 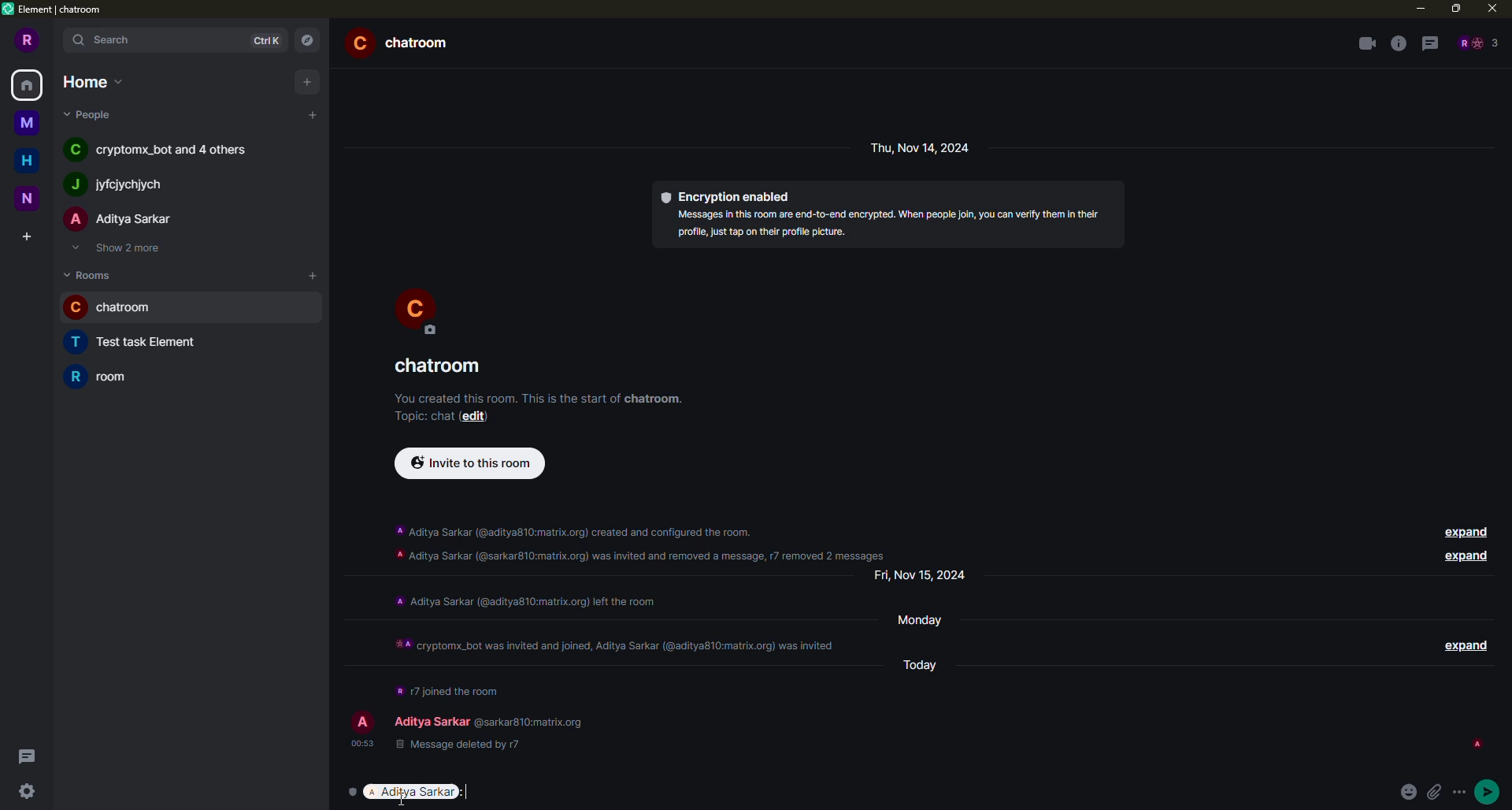 I want to click on info, so click(x=1398, y=43).